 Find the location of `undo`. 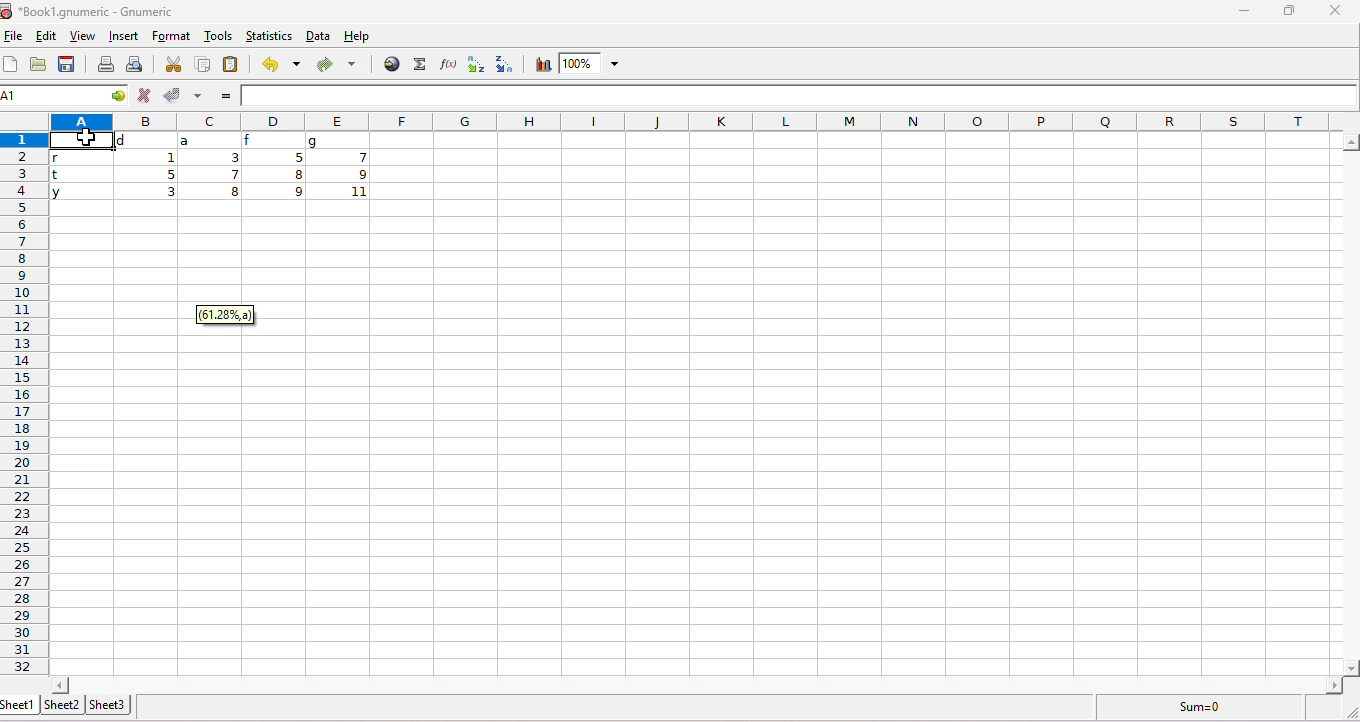

undo is located at coordinates (278, 65).